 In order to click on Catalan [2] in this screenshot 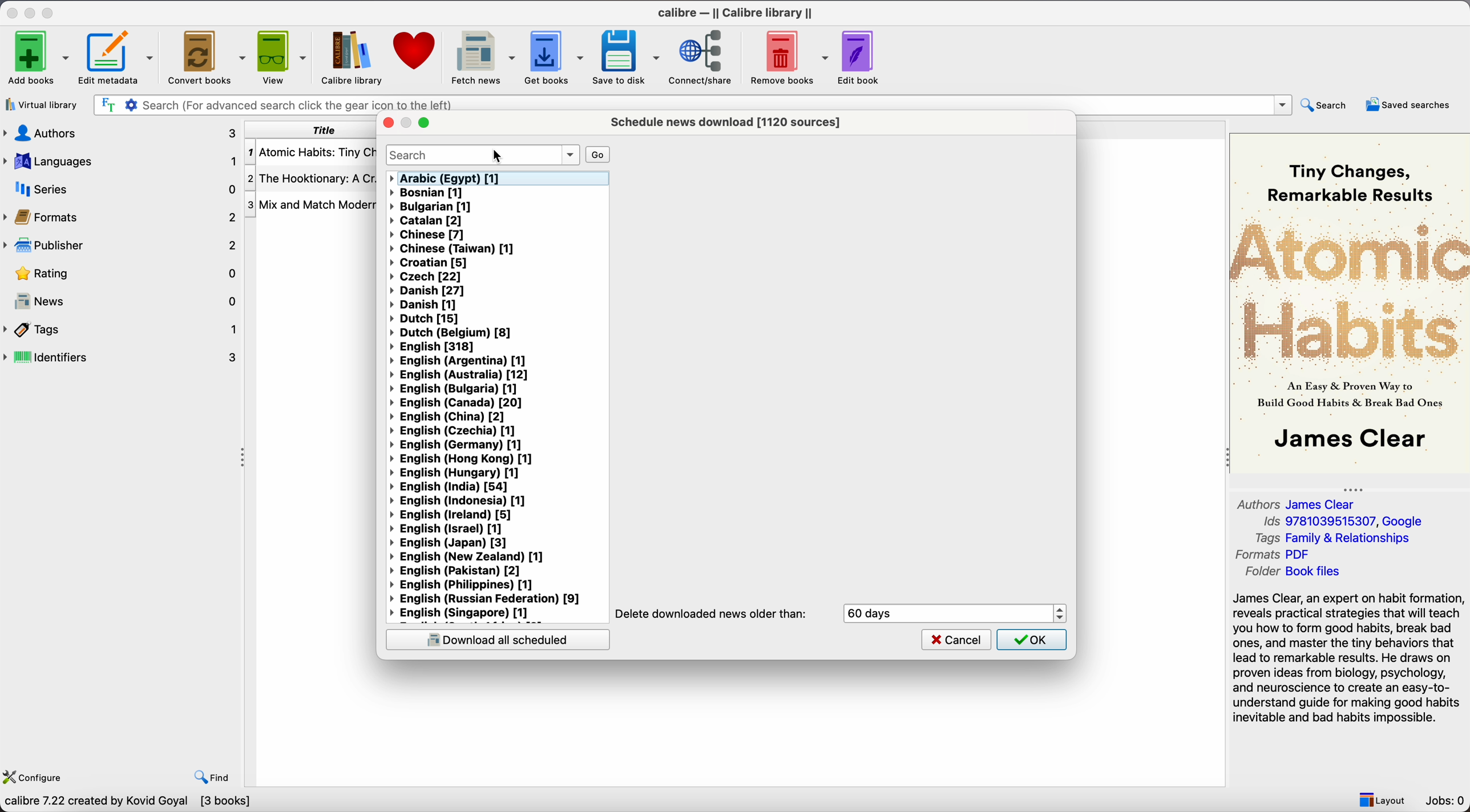, I will do `click(428, 220)`.